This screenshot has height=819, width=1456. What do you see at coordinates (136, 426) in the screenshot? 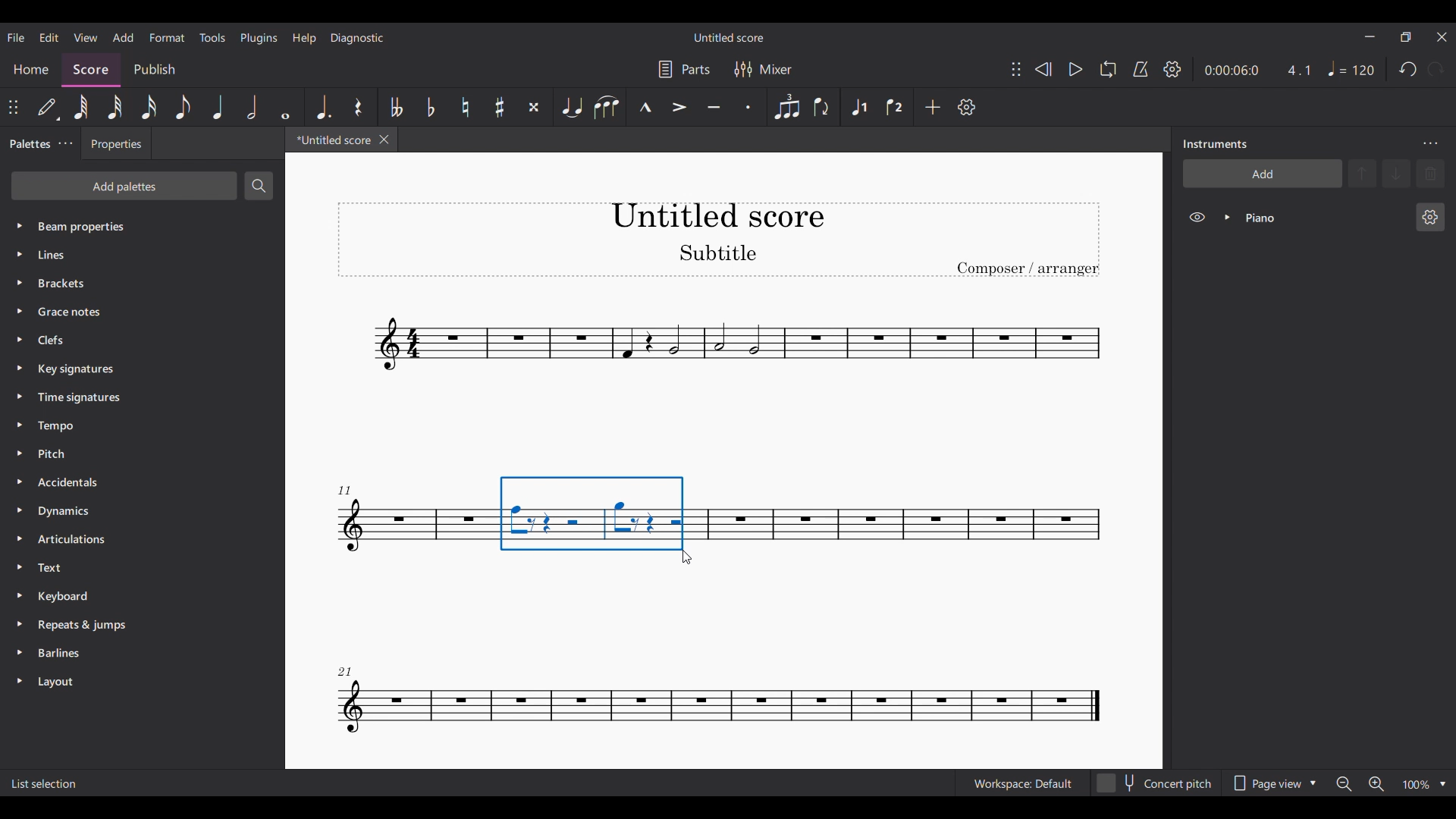
I see `Tempo` at bounding box center [136, 426].